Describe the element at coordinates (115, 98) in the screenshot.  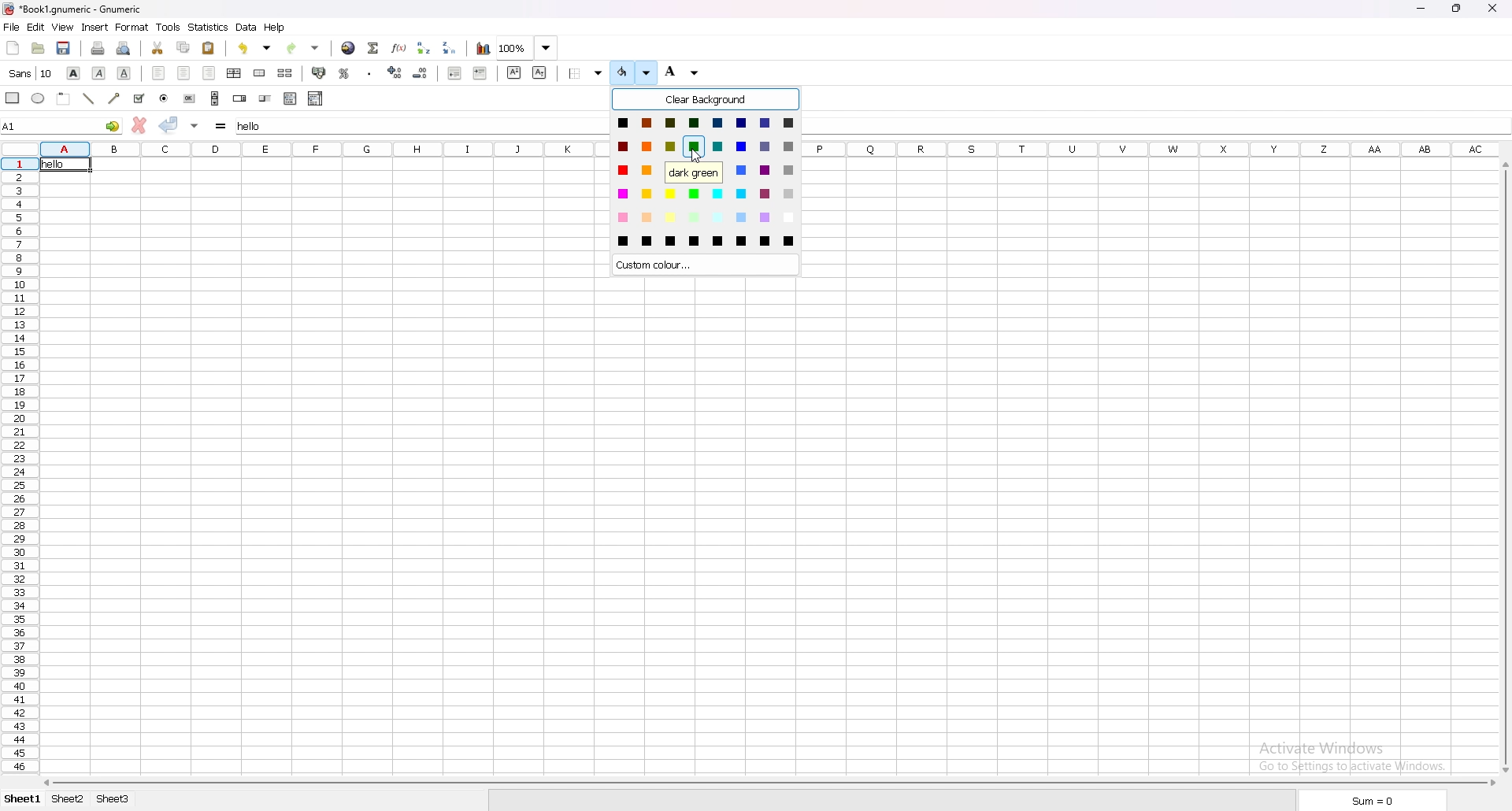
I see `arrowed line` at that location.